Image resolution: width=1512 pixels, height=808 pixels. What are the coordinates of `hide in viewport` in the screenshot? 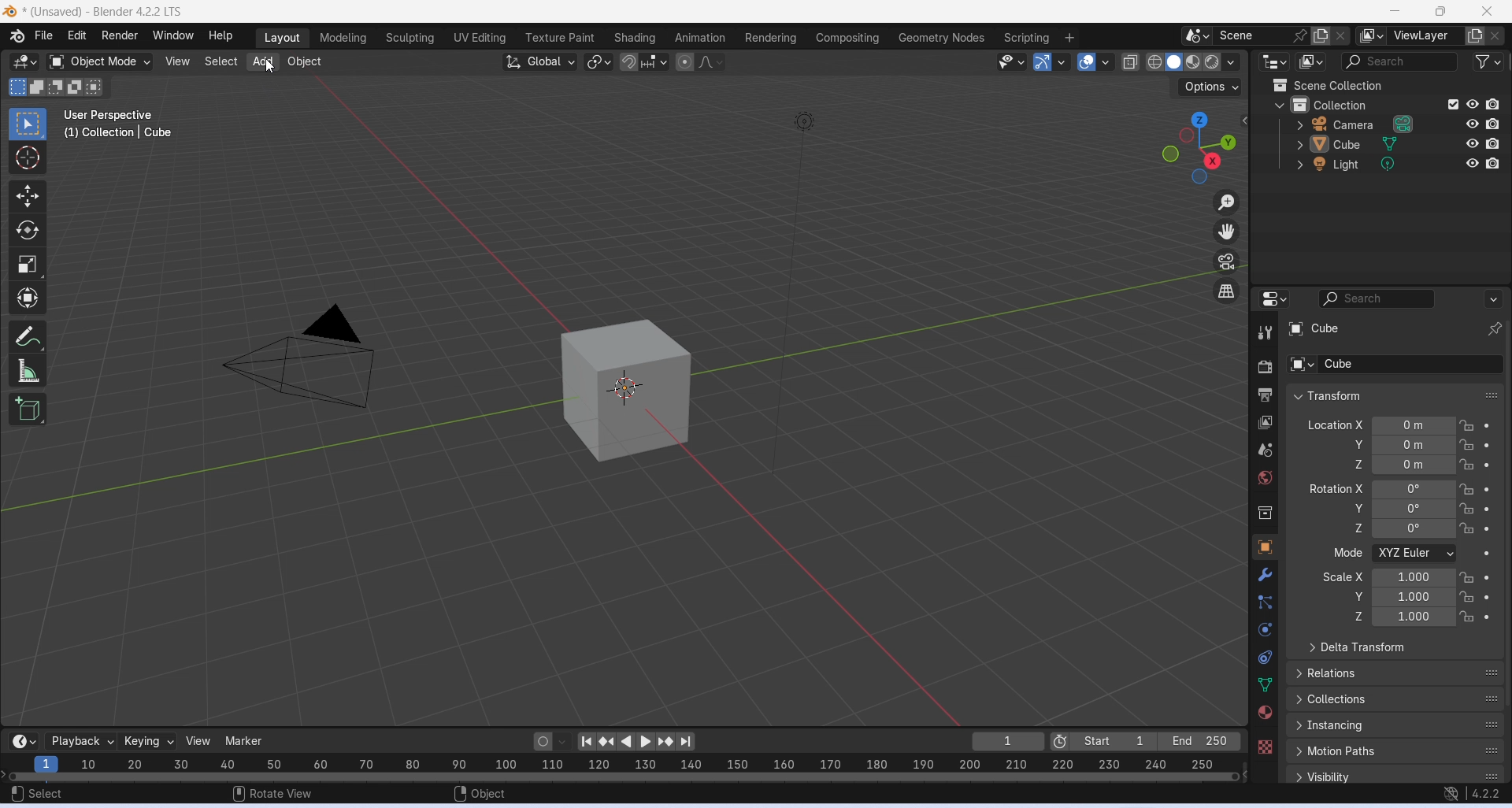 It's located at (1473, 143).